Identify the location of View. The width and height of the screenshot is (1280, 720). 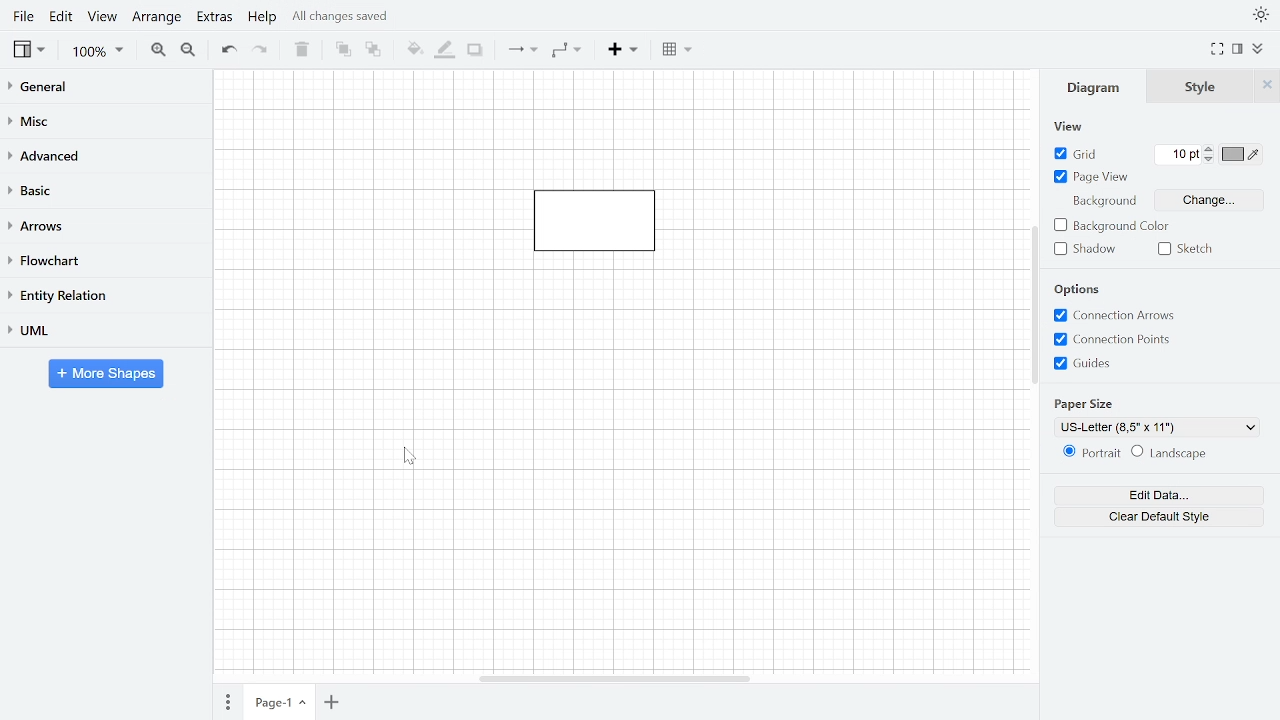
(31, 51).